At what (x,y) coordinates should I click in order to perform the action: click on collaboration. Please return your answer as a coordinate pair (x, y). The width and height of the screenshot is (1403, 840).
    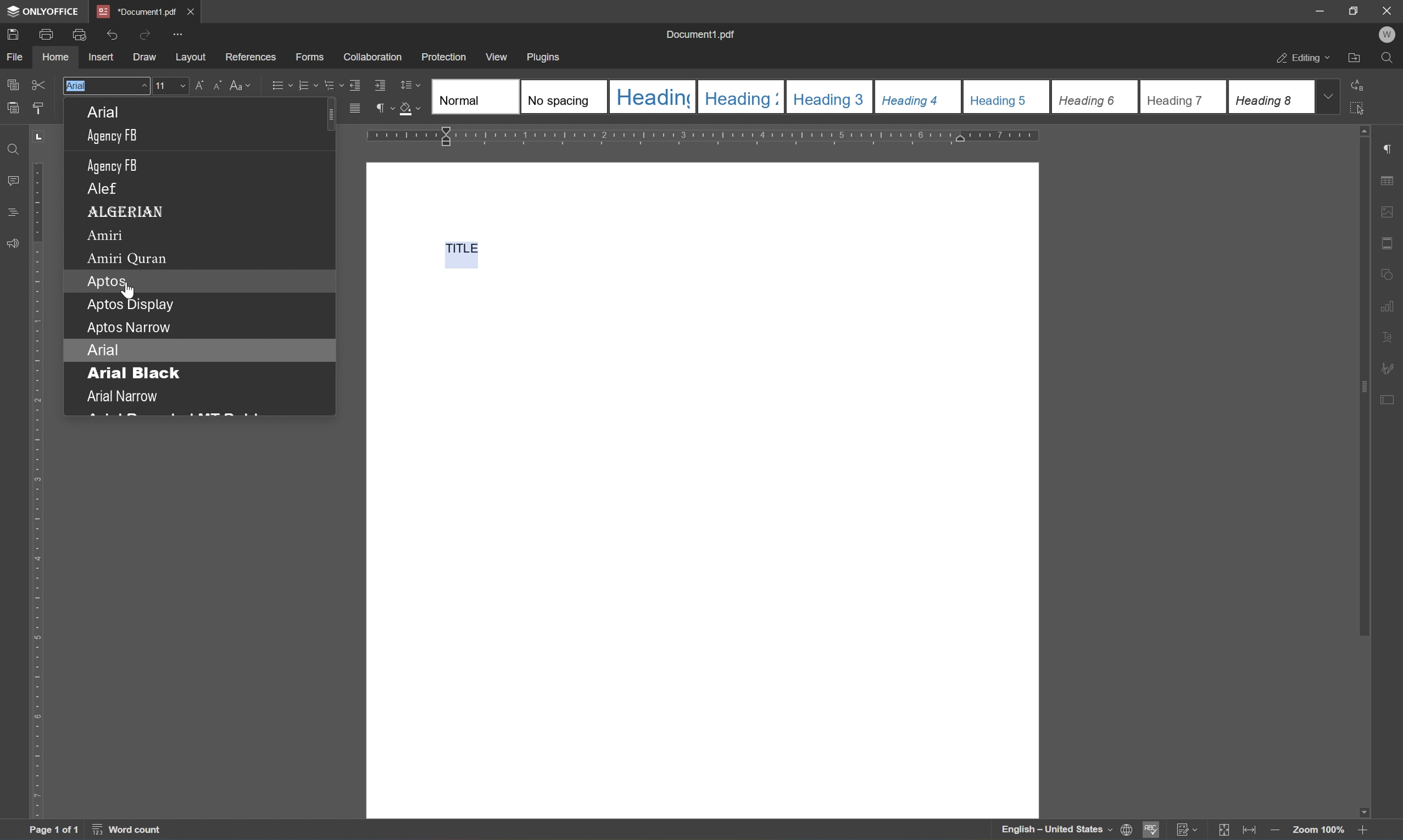
    Looking at the image, I should click on (377, 57).